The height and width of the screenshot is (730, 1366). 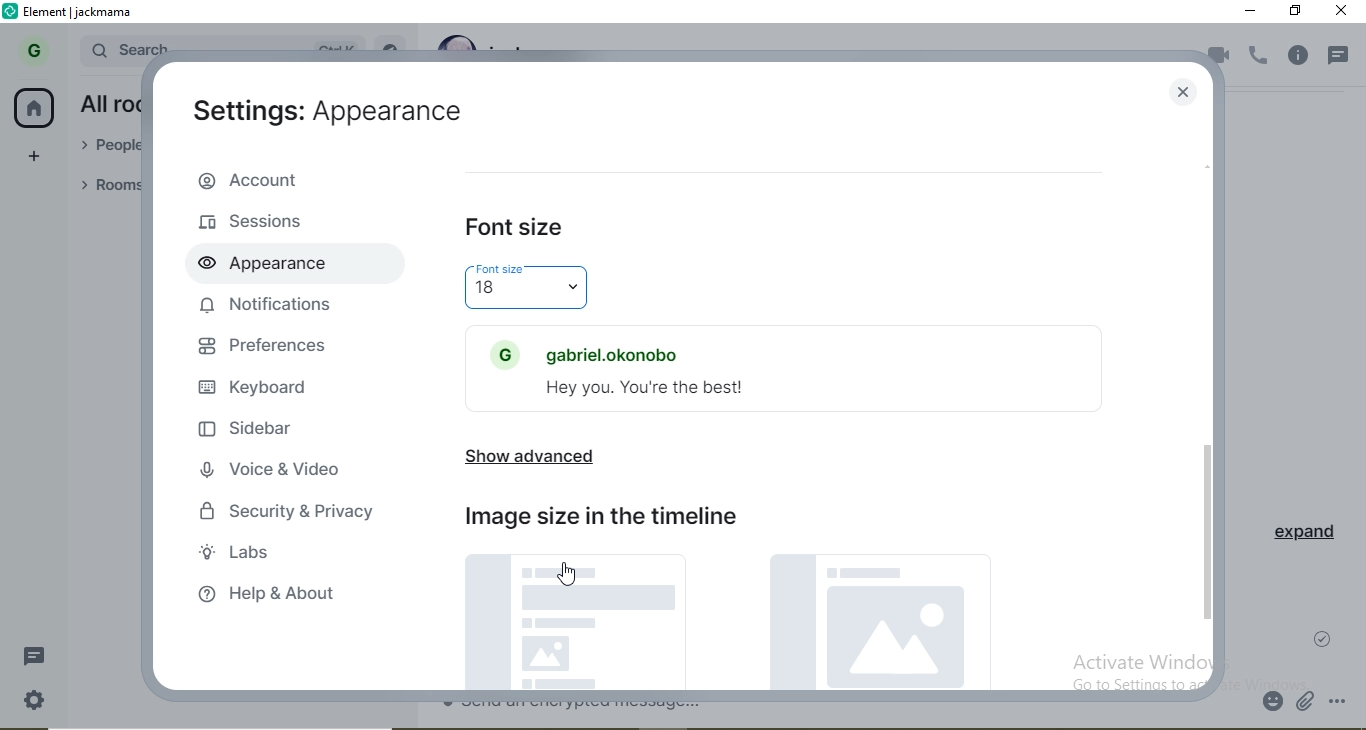 I want to click on attachment, so click(x=1307, y=704).